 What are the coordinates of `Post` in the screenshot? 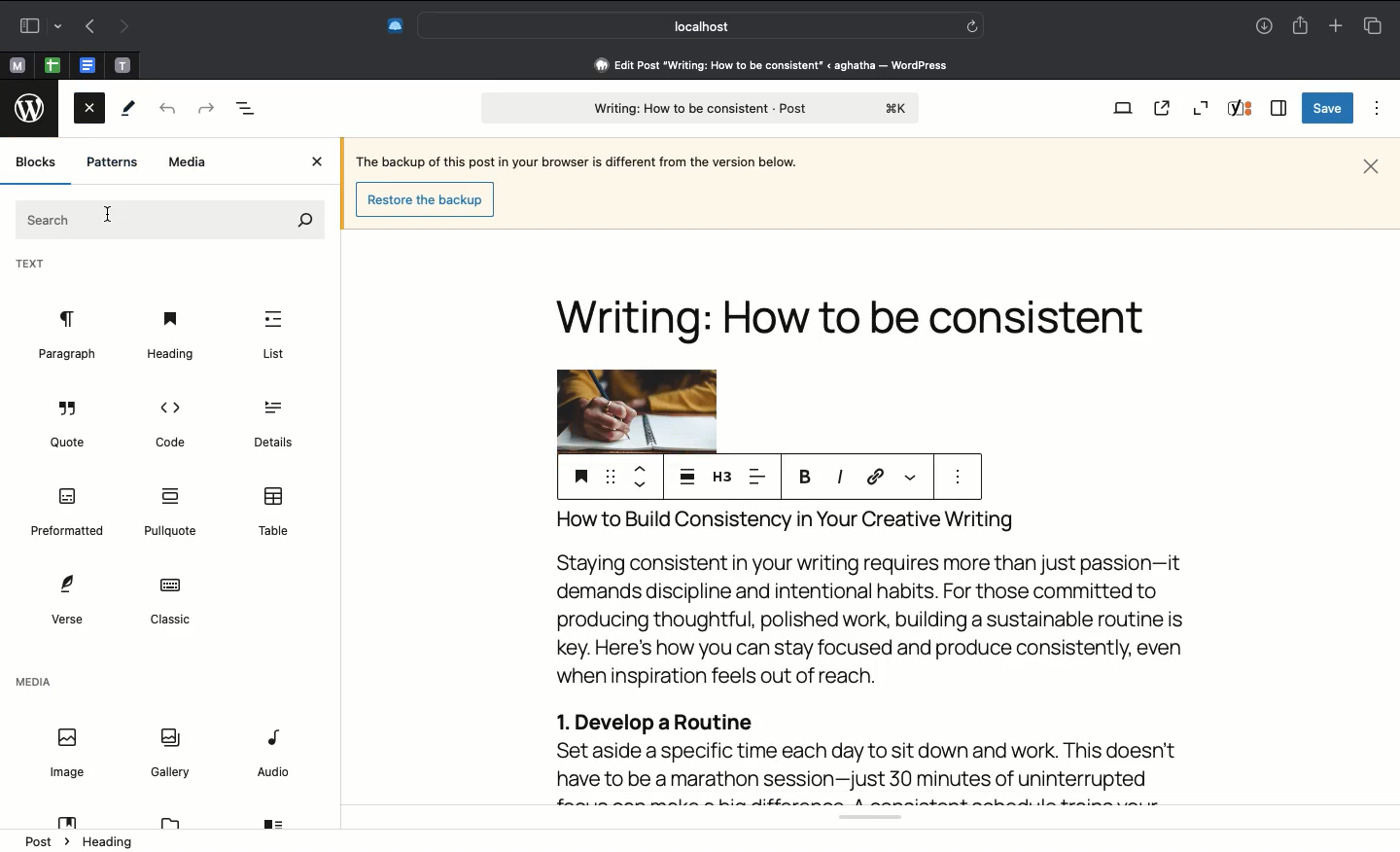 It's located at (696, 108).